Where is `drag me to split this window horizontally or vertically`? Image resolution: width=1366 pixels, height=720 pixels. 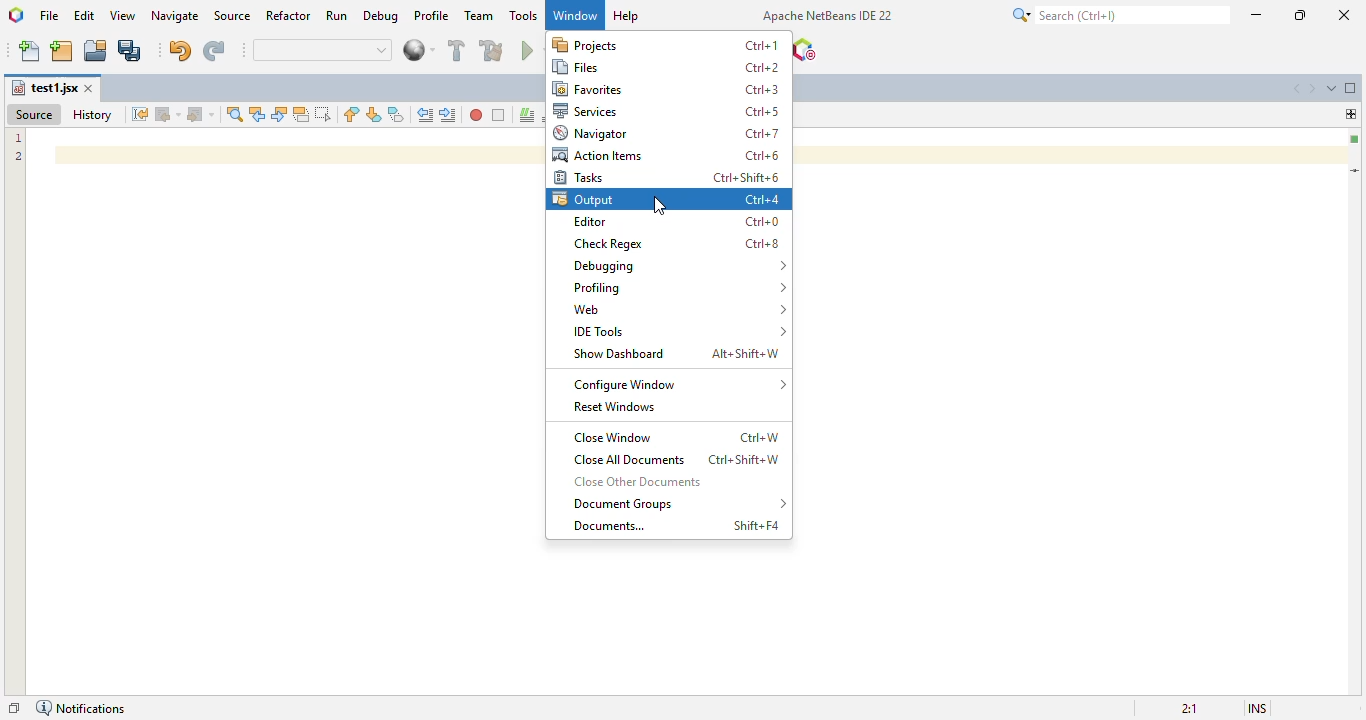
drag me to split this window horizontally or vertically is located at coordinates (1351, 113).